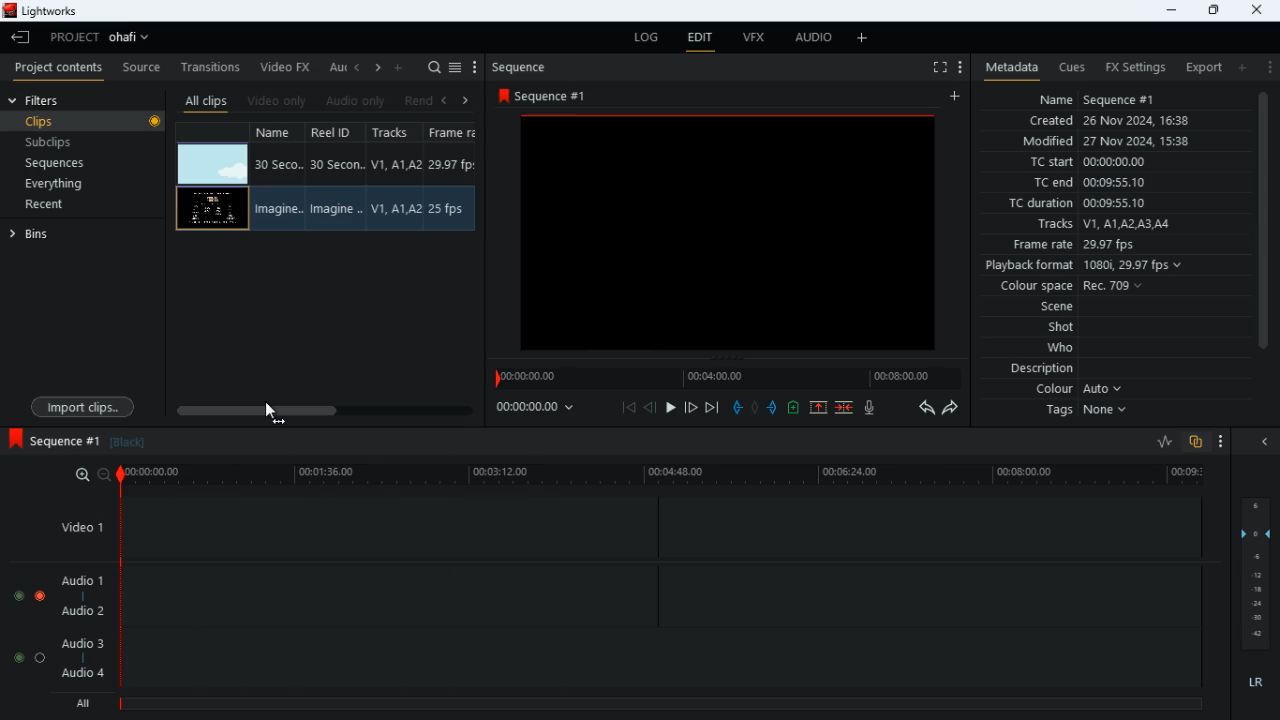 This screenshot has height=720, width=1280. What do you see at coordinates (1073, 286) in the screenshot?
I see `colour space` at bounding box center [1073, 286].